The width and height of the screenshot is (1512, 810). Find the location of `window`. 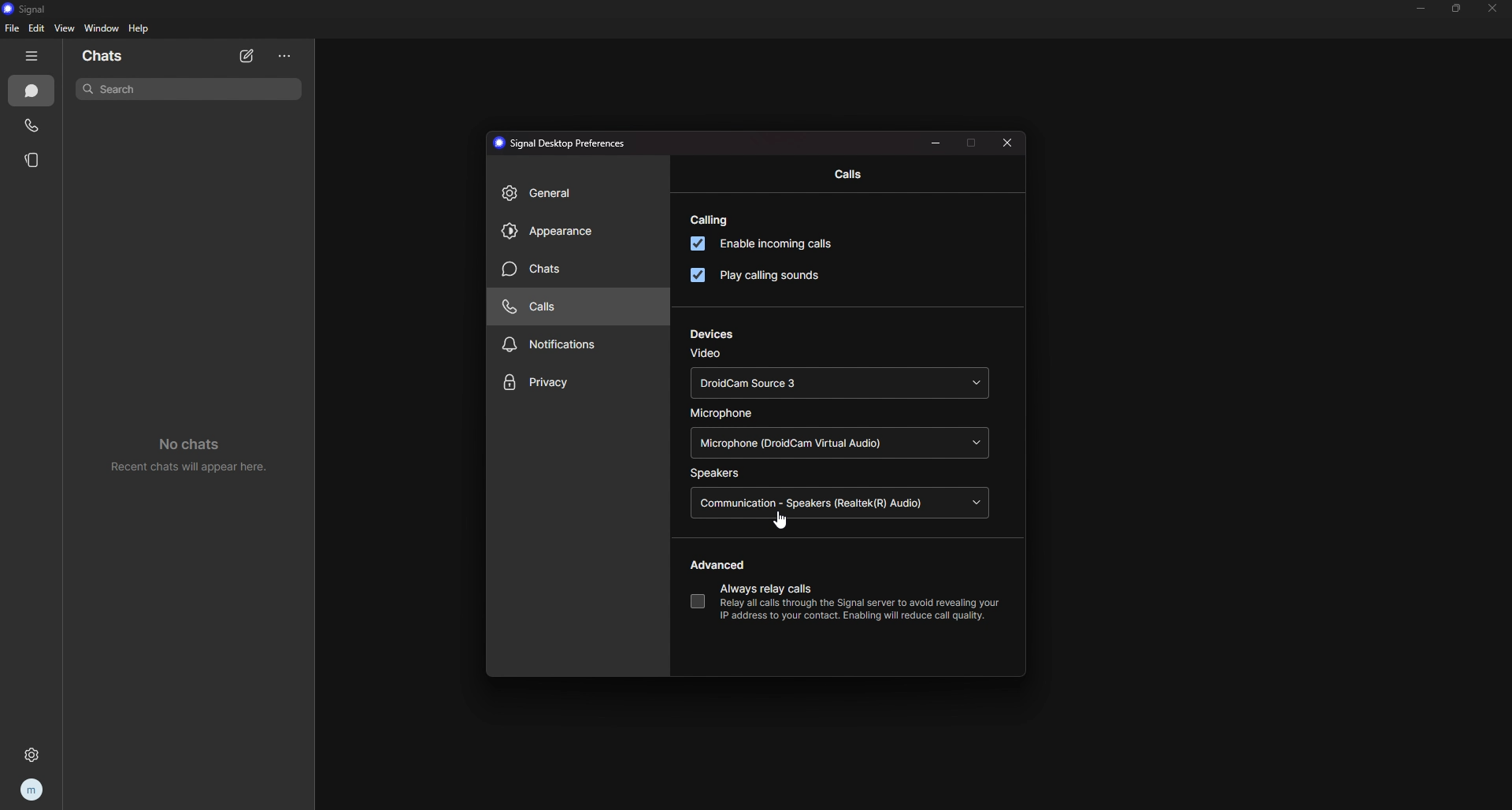

window is located at coordinates (102, 28).